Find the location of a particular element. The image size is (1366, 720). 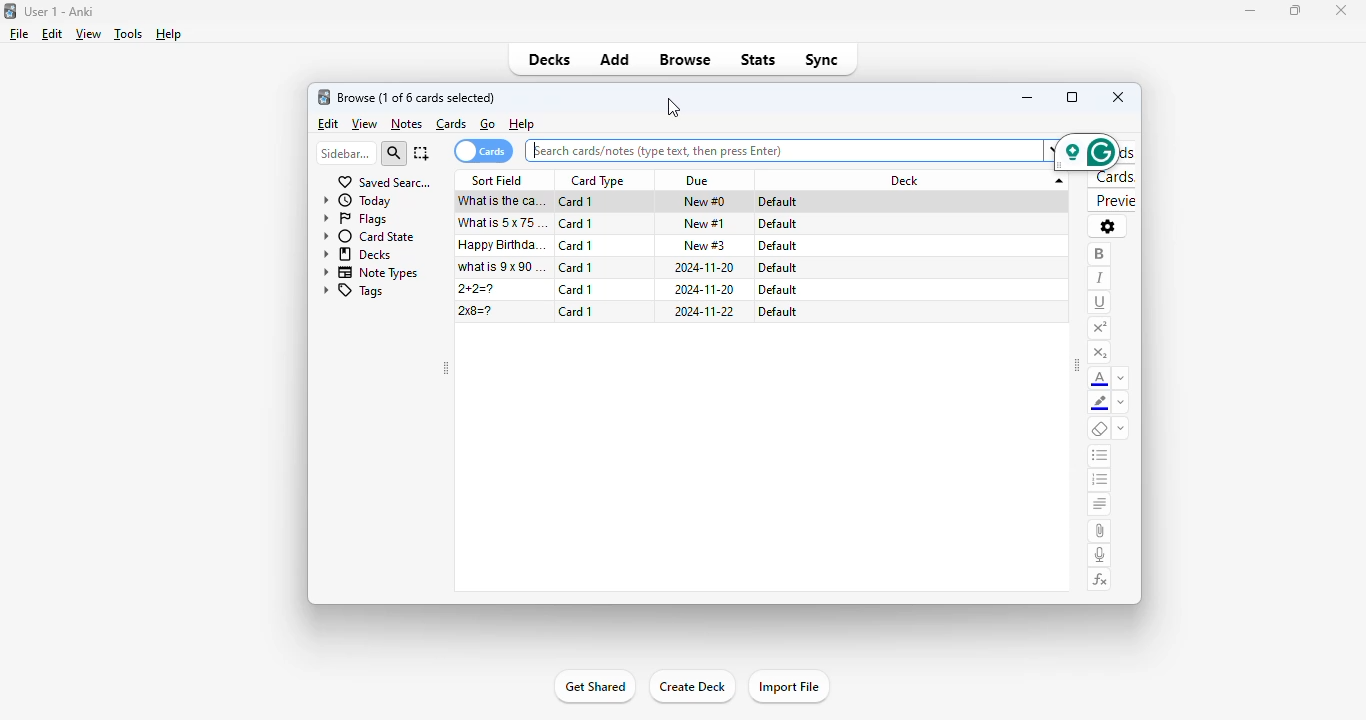

2x9=? is located at coordinates (475, 311).